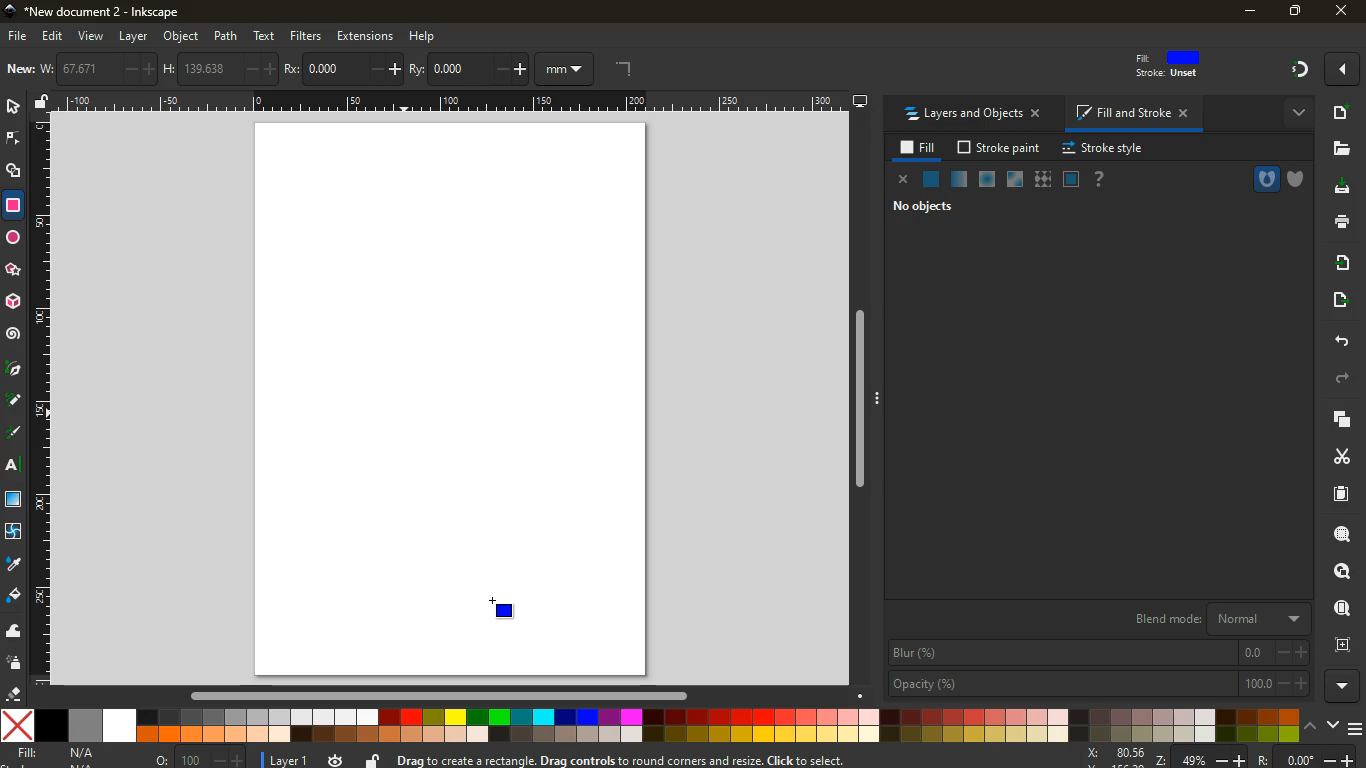 Image resolution: width=1366 pixels, height=768 pixels. I want to click on No objects, so click(923, 210).